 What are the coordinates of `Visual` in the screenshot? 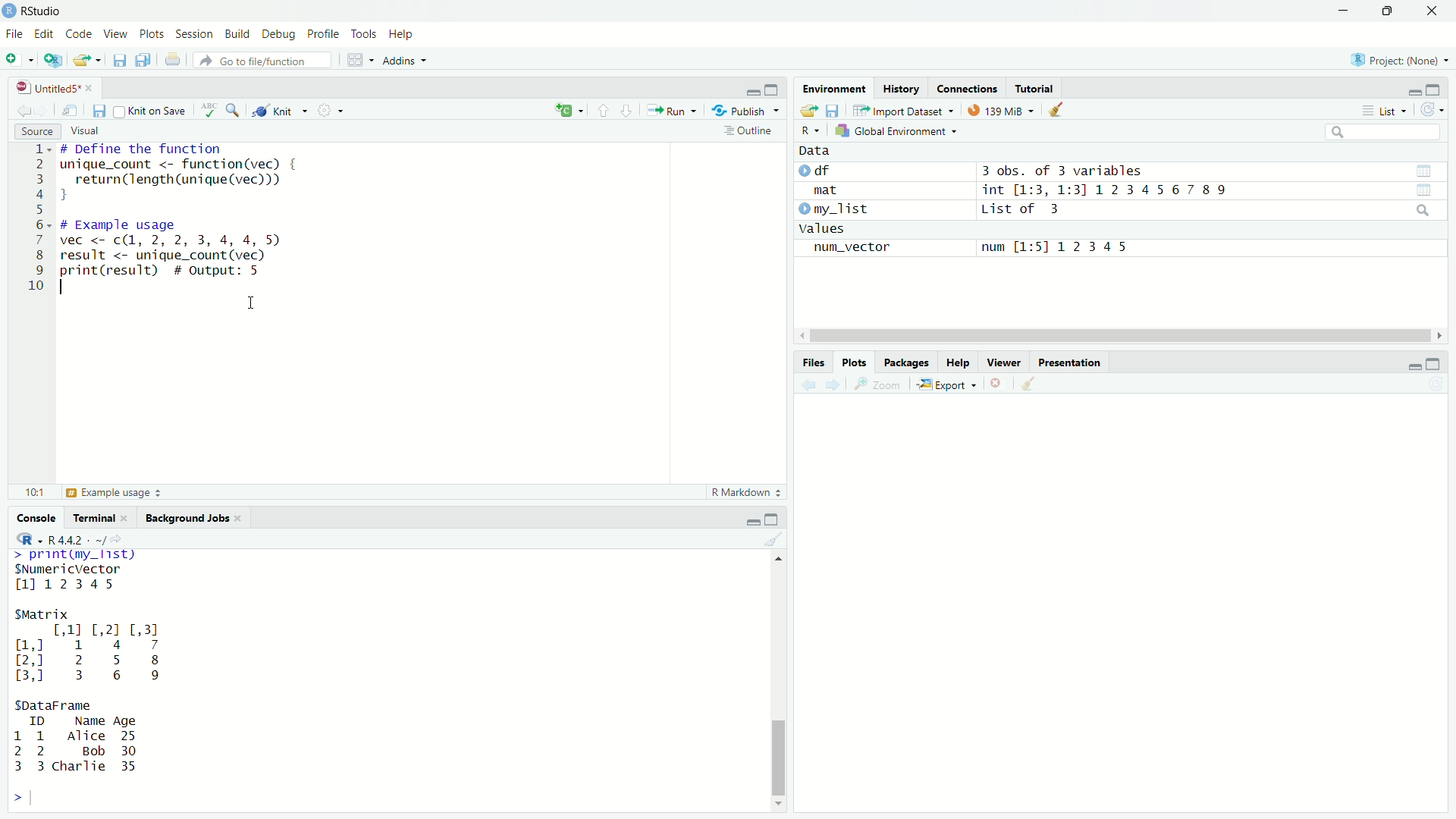 It's located at (87, 130).